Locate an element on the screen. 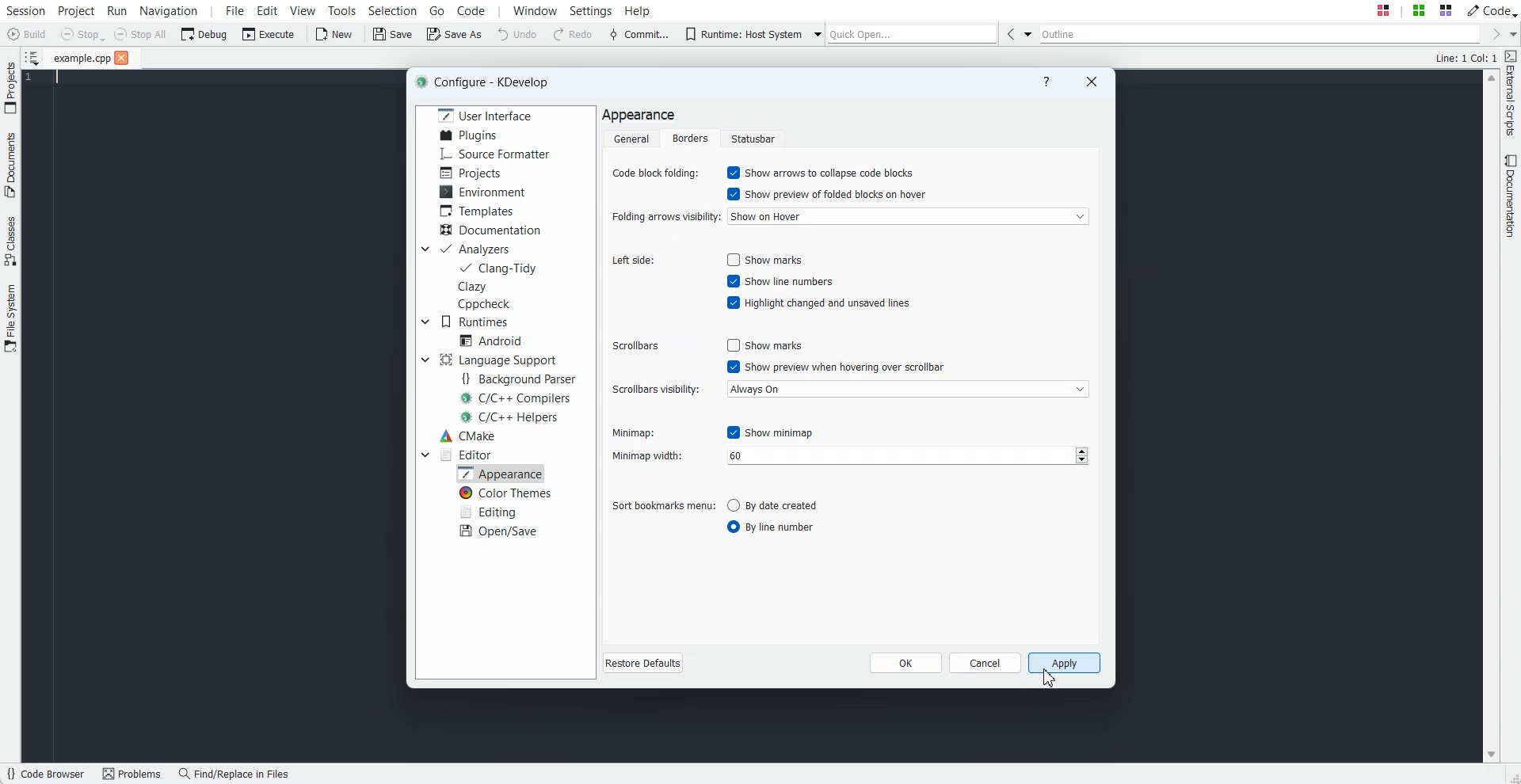 The image size is (1521, 784). Show sorted list is located at coordinates (33, 56).